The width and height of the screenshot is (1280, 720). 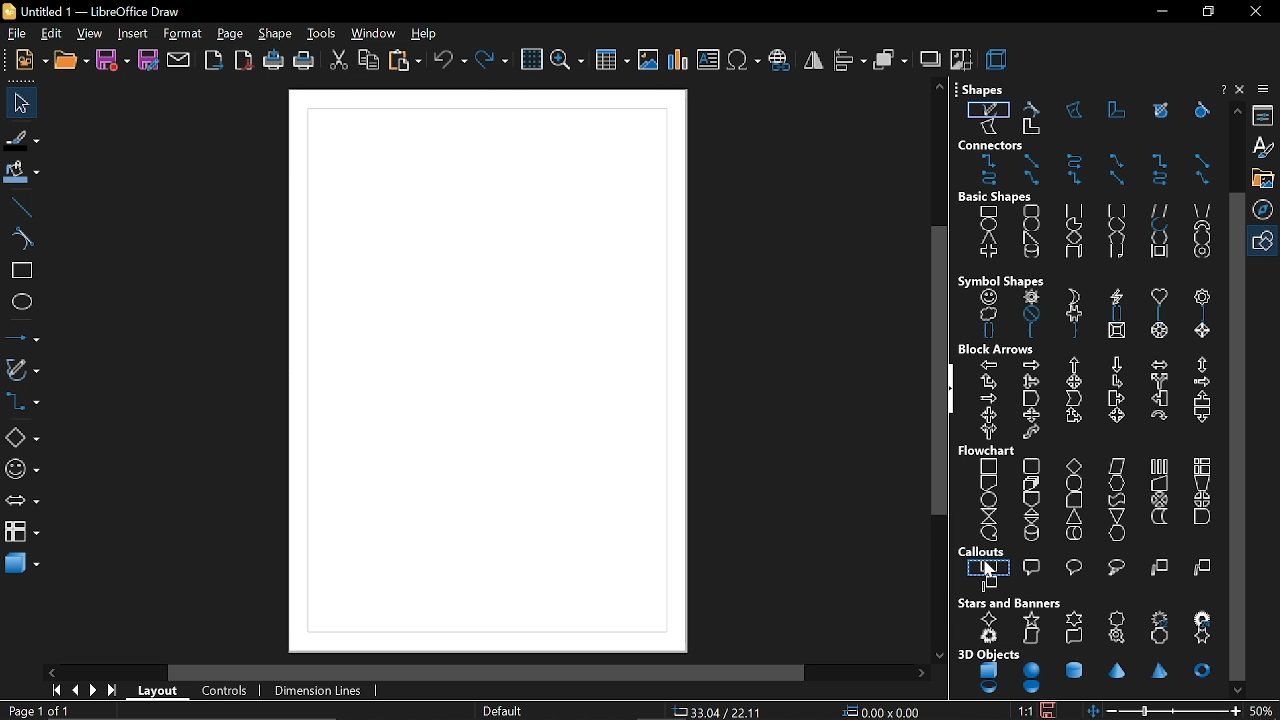 What do you see at coordinates (990, 619) in the screenshot?
I see `4 point star` at bounding box center [990, 619].